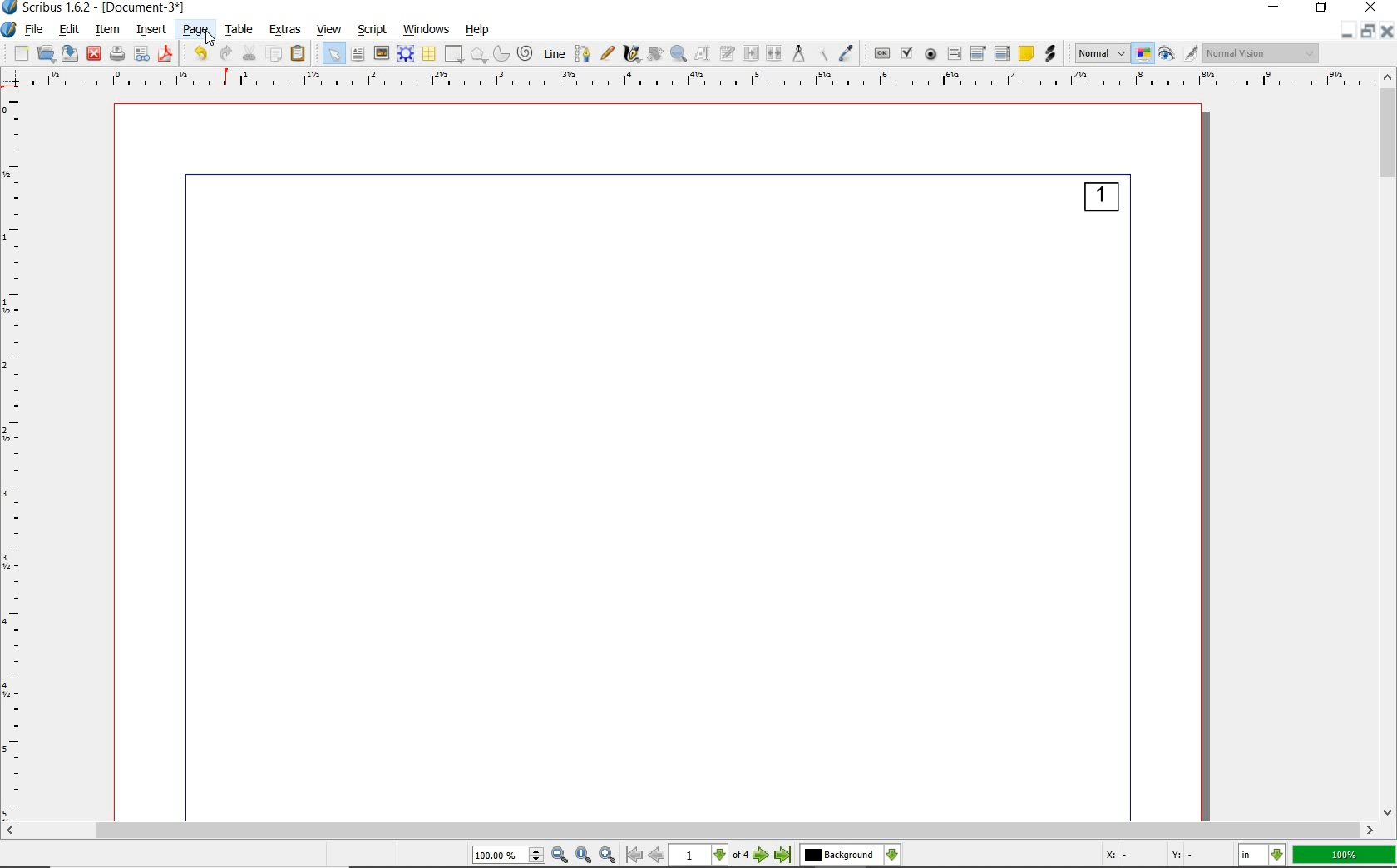 Image resolution: width=1397 pixels, height=868 pixels. Describe the element at coordinates (1148, 856) in the screenshot. I see `X: - Y: -` at that location.